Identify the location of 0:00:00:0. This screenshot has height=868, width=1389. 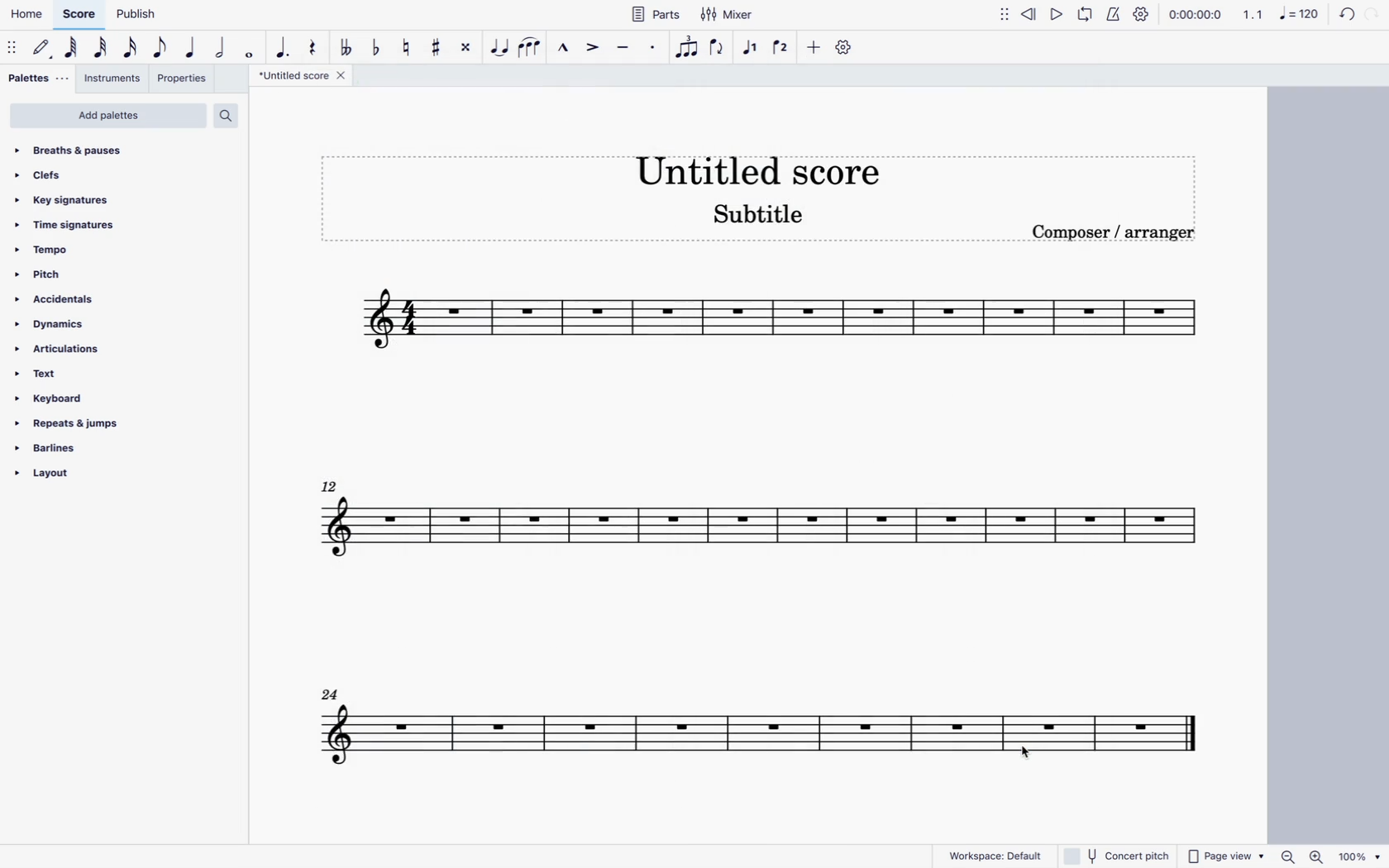
(1198, 16).